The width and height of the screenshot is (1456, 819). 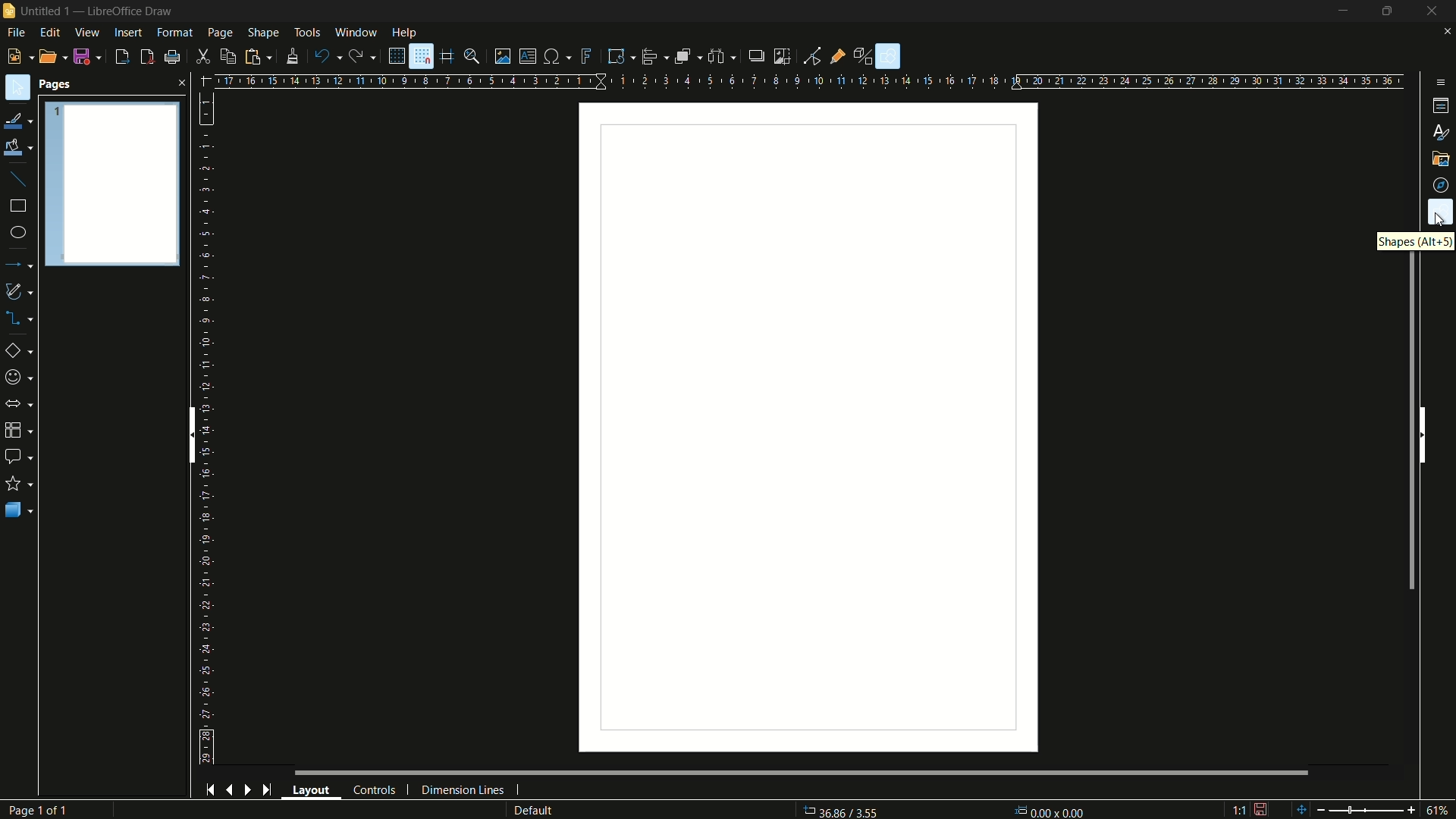 What do you see at coordinates (230, 792) in the screenshot?
I see `previous page` at bounding box center [230, 792].